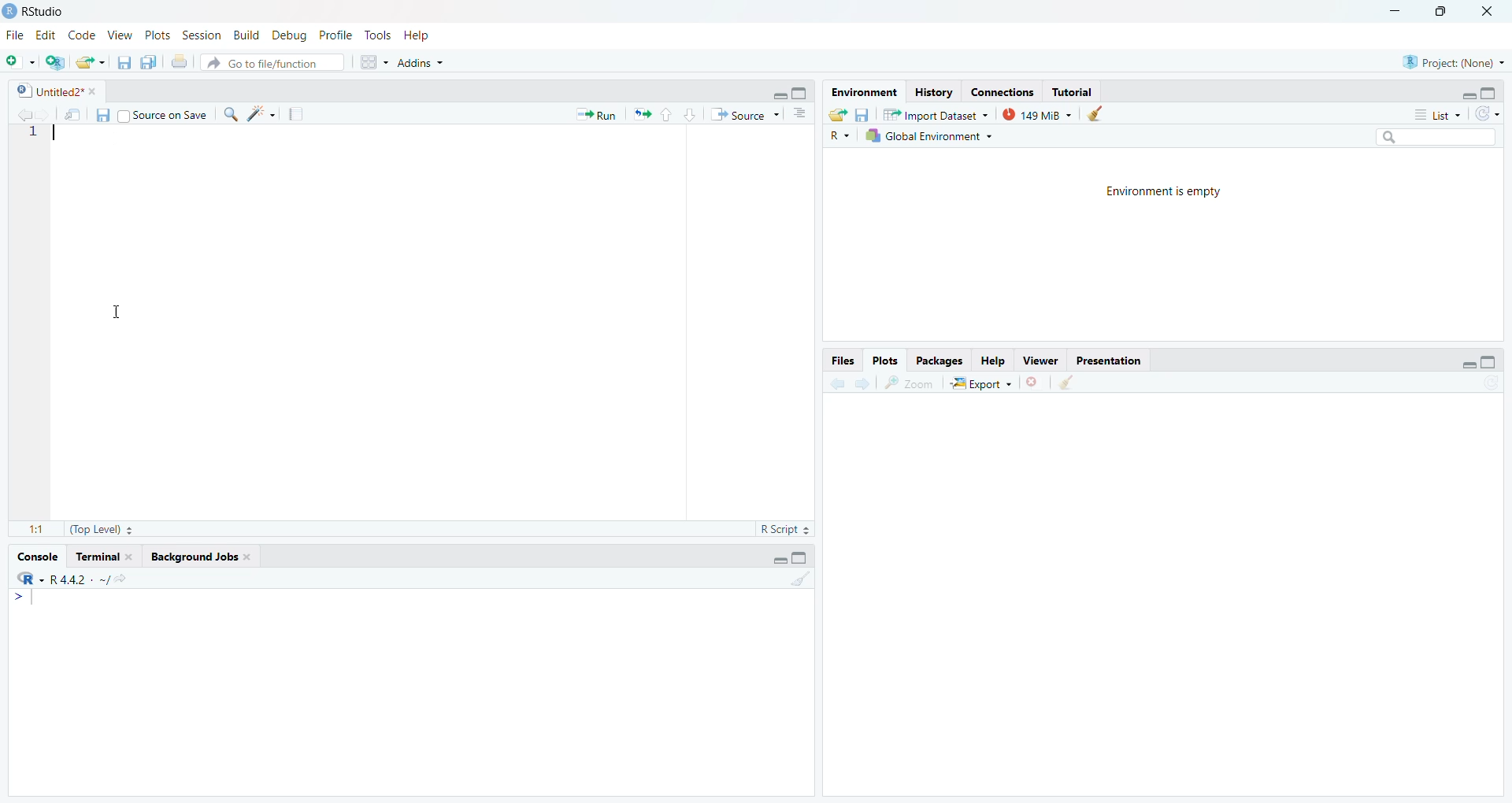 This screenshot has width=1512, height=803. I want to click on Minimize, so click(1465, 364).